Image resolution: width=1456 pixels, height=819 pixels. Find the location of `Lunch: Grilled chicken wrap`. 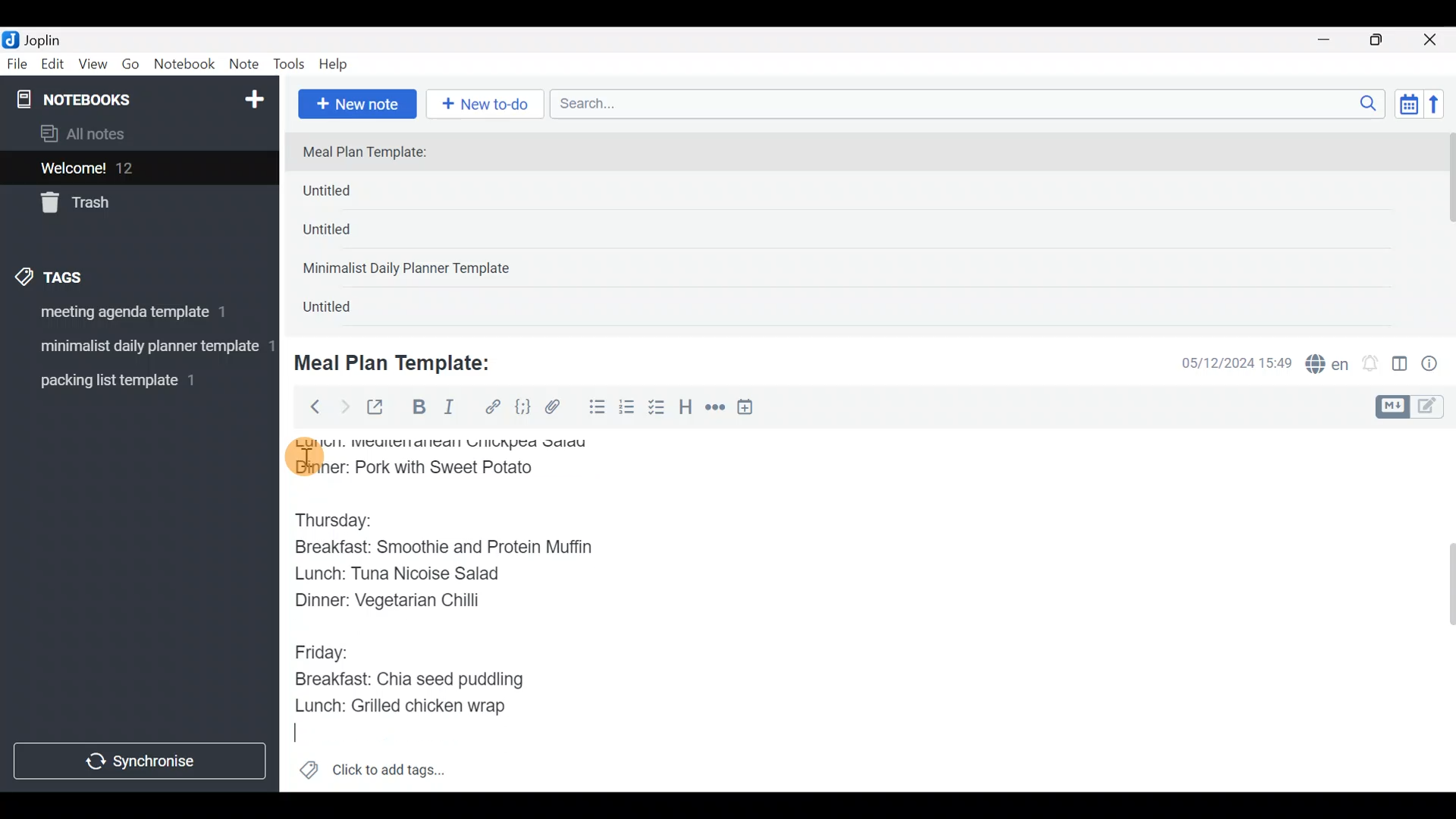

Lunch: Grilled chicken wrap is located at coordinates (399, 708).